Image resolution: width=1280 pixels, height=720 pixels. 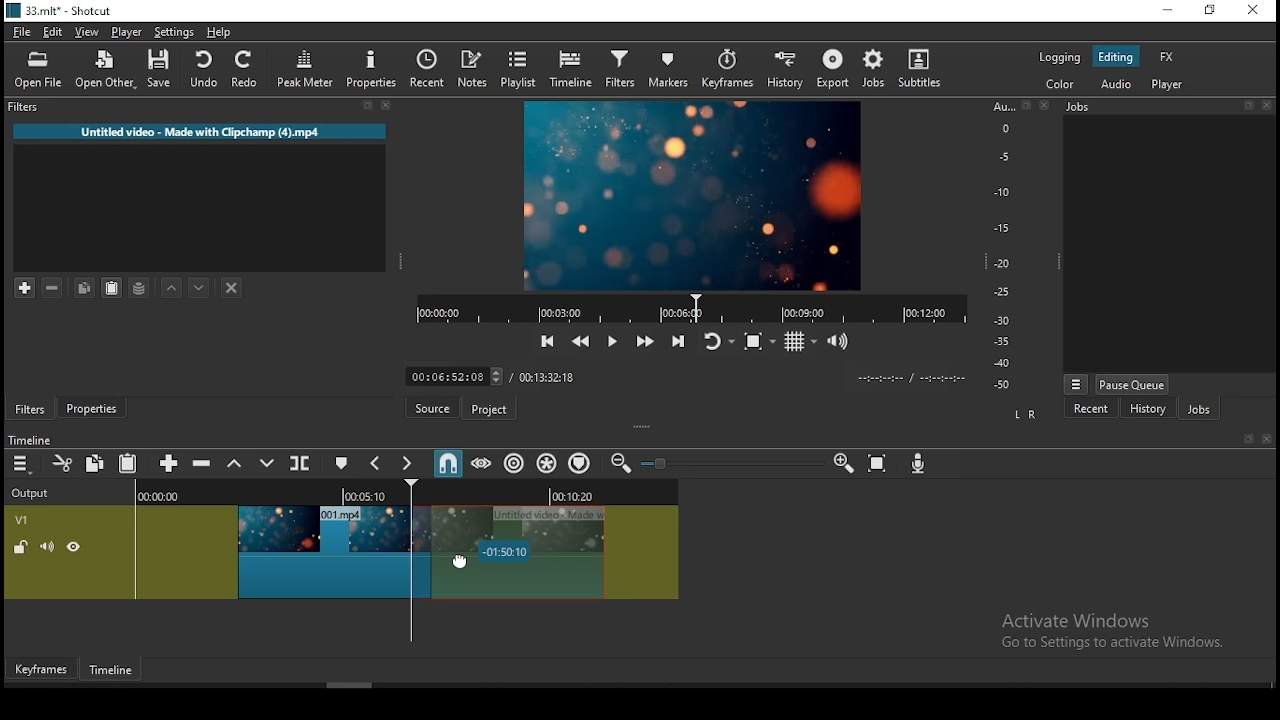 I want to click on ripple all tracks, so click(x=547, y=463).